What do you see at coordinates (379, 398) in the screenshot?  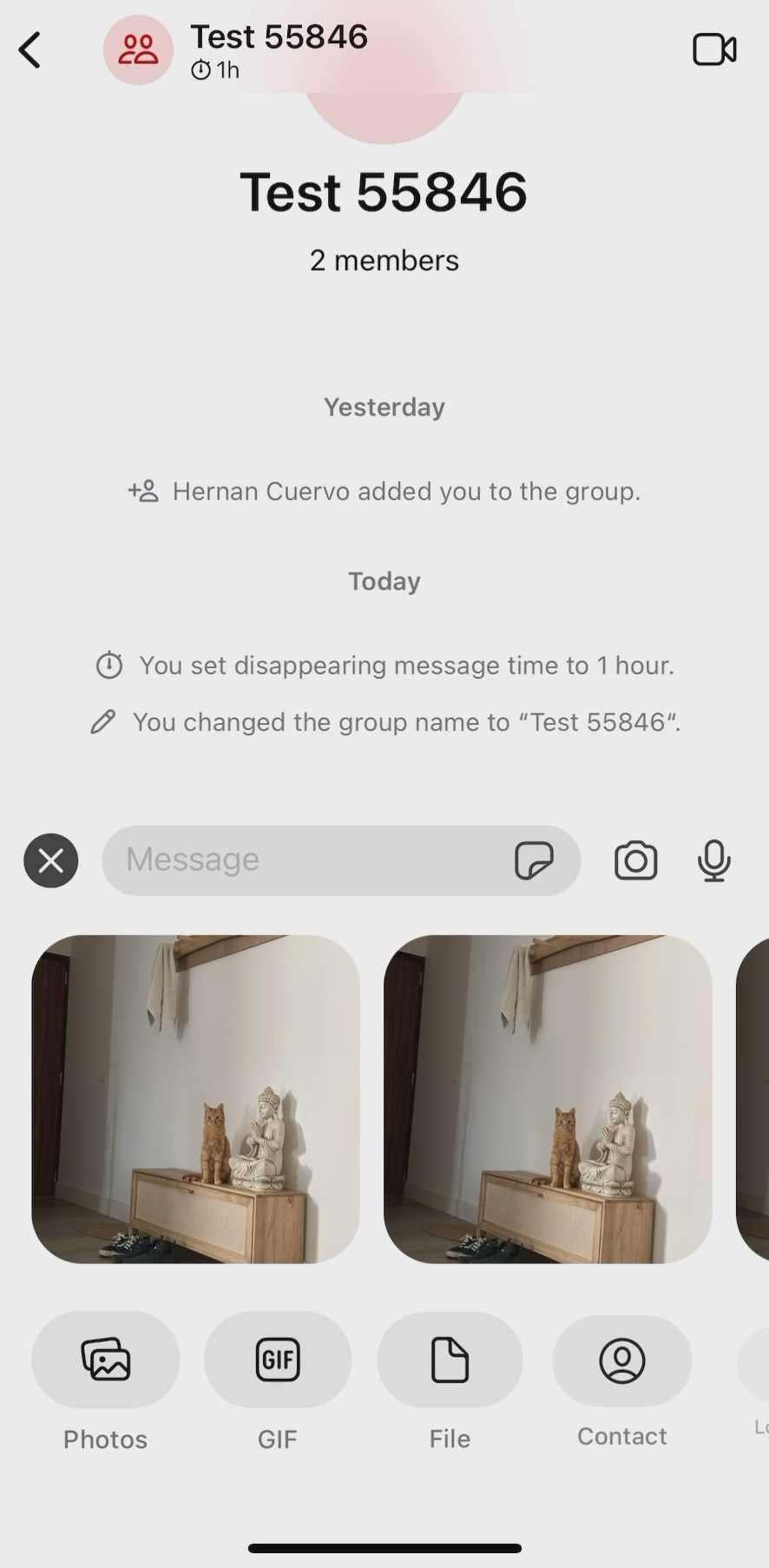 I see `Yesterday` at bounding box center [379, 398].